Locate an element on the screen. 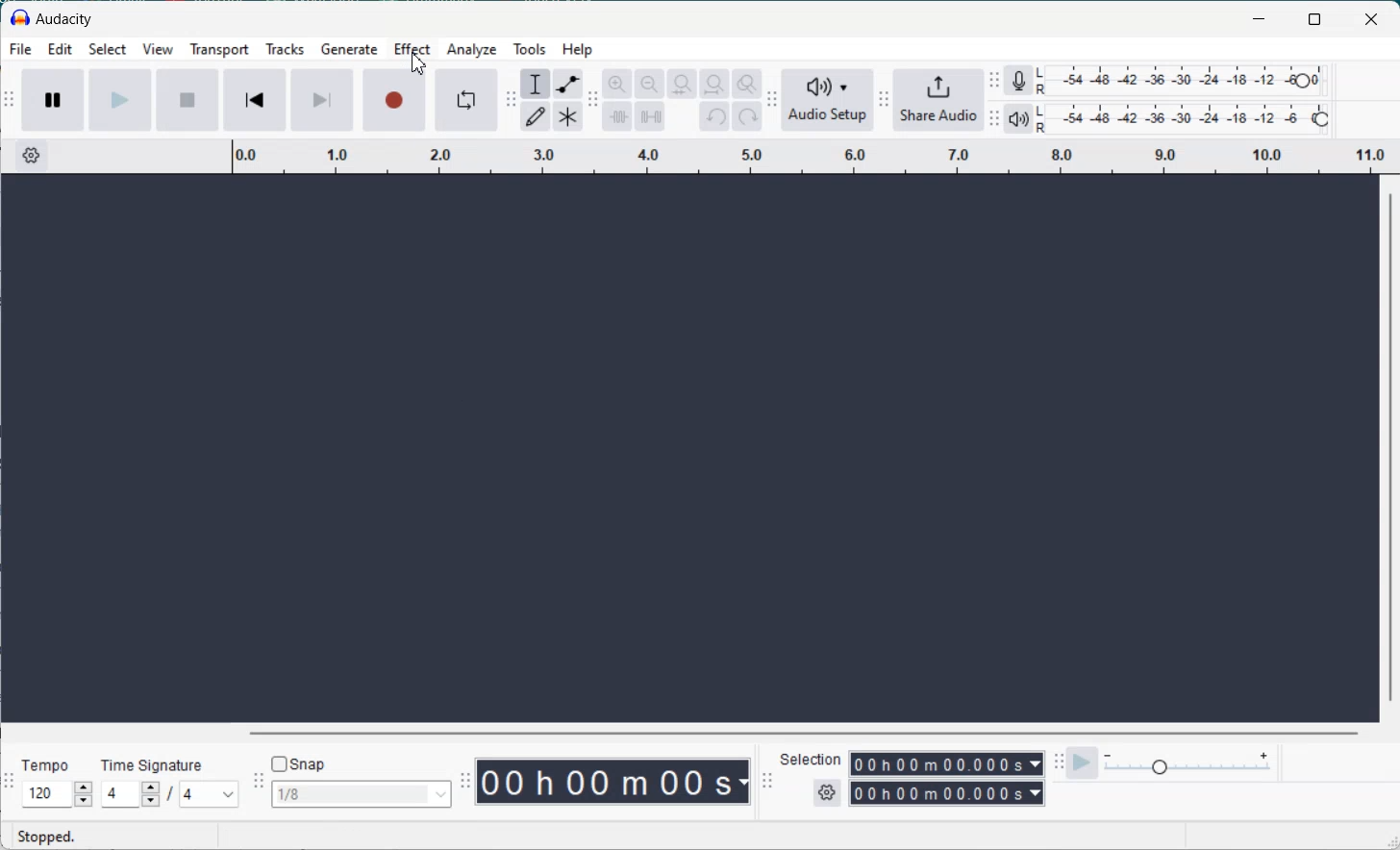  Select is located at coordinates (108, 51).